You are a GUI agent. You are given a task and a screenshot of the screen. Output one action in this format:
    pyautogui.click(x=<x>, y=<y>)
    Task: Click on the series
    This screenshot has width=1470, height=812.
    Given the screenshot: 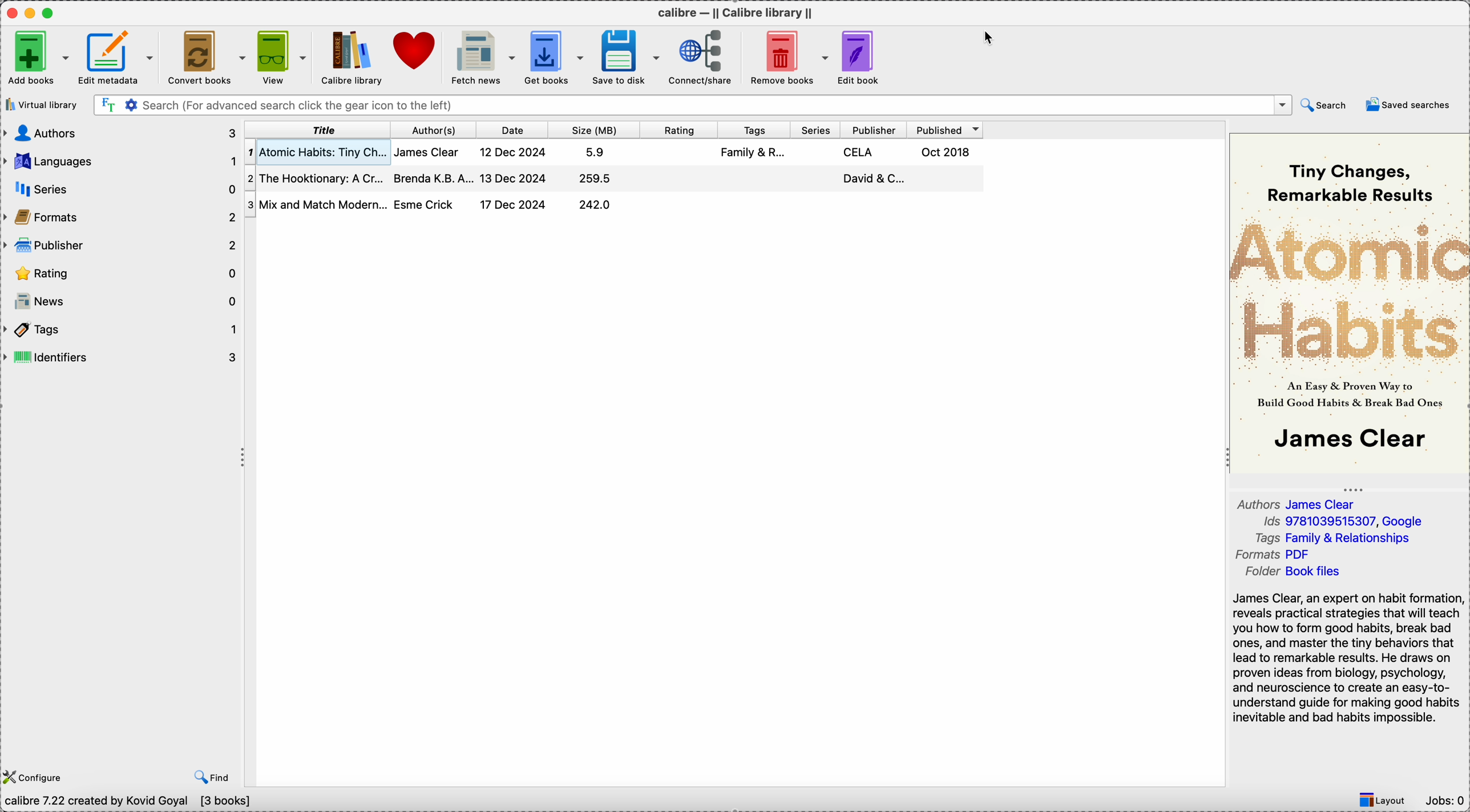 What is the action you would take?
    pyautogui.click(x=816, y=128)
    